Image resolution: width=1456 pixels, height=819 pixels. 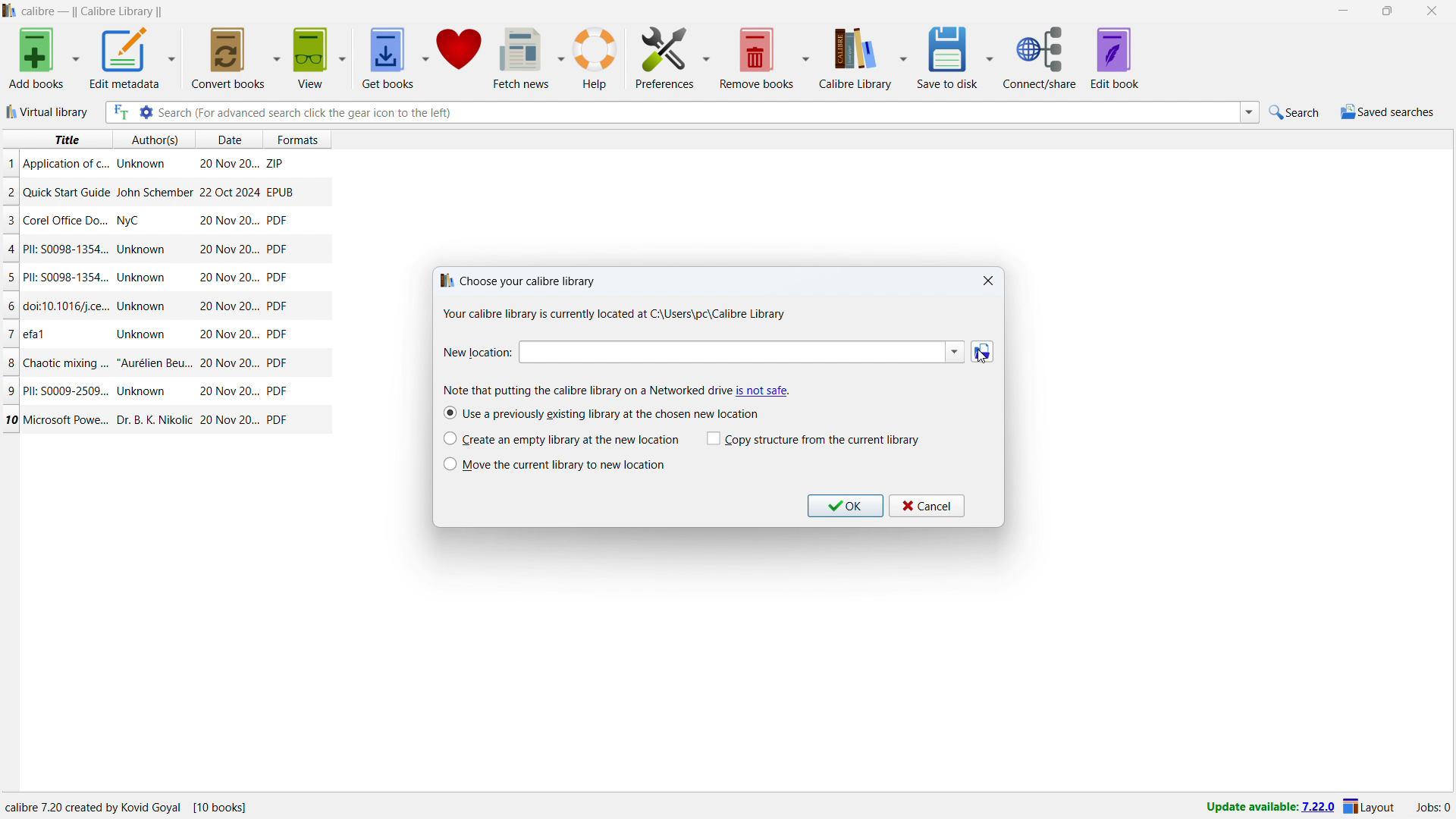 I want to click on location history, so click(x=955, y=352).